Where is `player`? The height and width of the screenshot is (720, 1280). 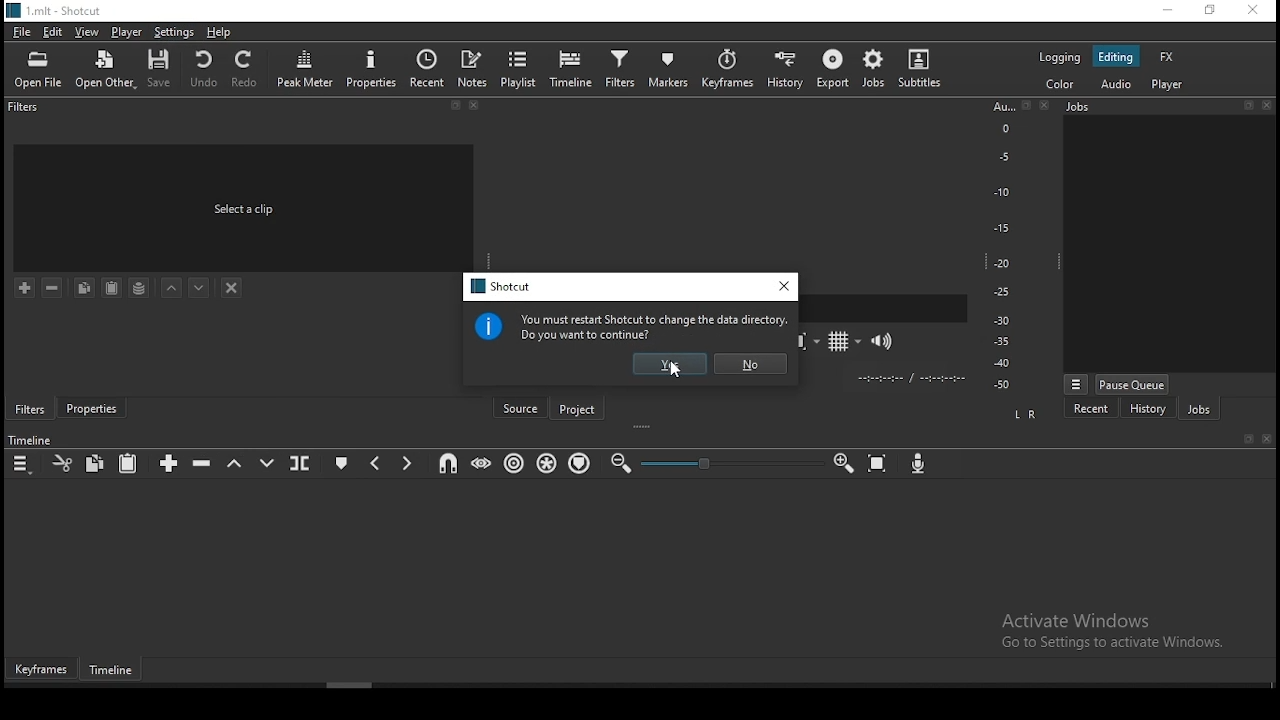 player is located at coordinates (1166, 85).